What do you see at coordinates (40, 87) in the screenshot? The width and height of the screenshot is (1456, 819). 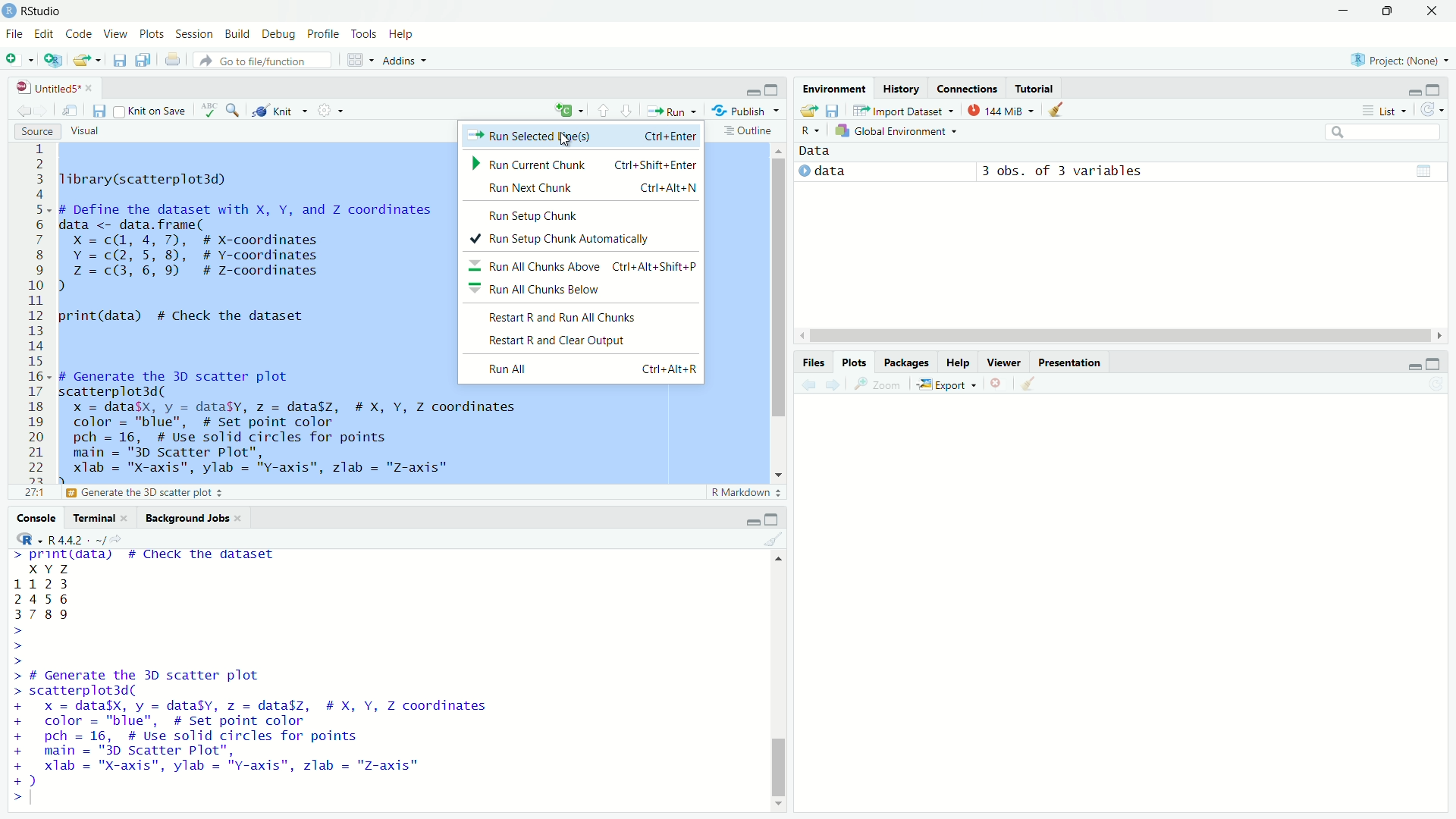 I see `untitled` at bounding box center [40, 87].